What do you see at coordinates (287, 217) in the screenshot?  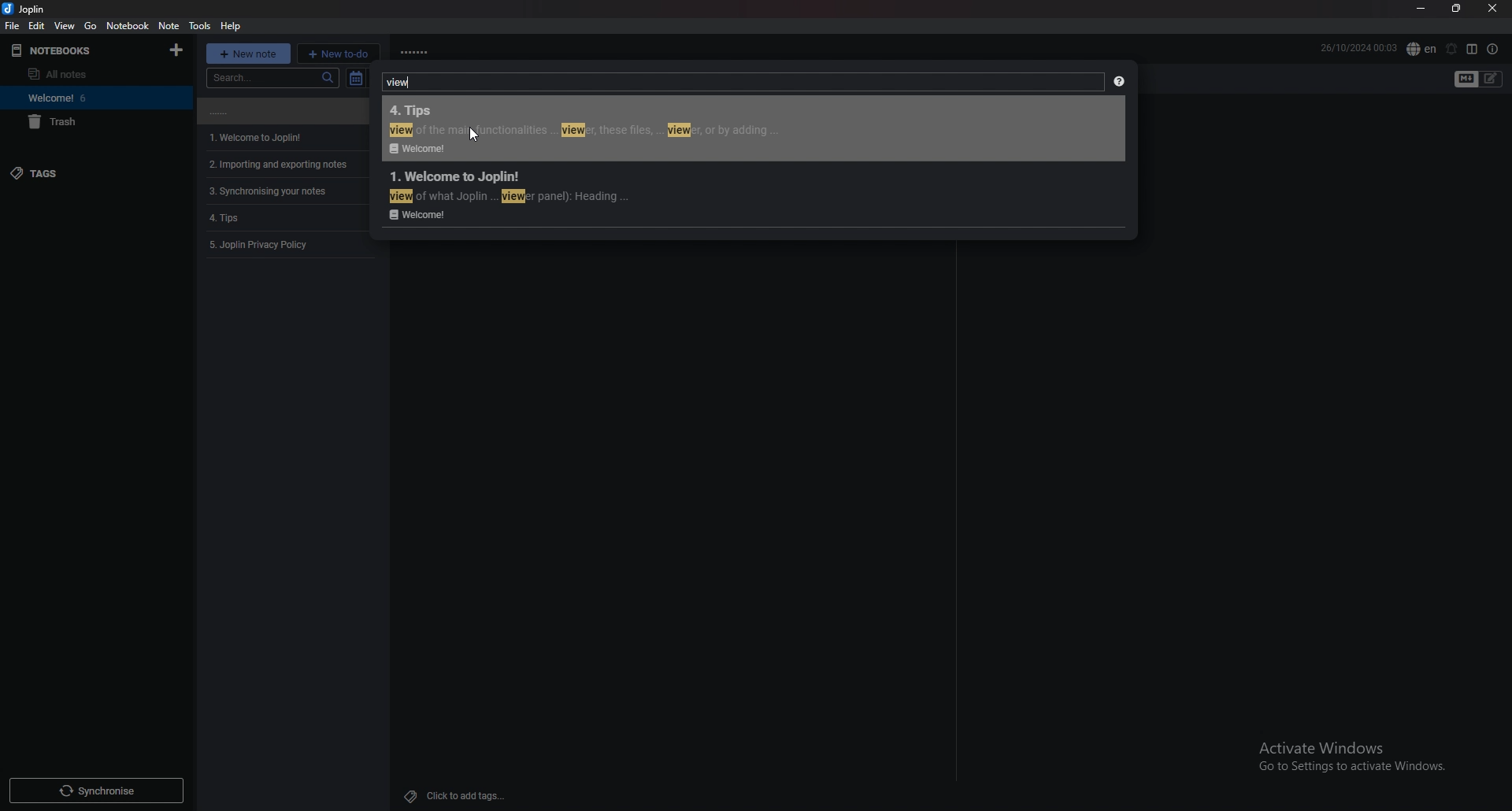 I see `note 5` at bounding box center [287, 217].